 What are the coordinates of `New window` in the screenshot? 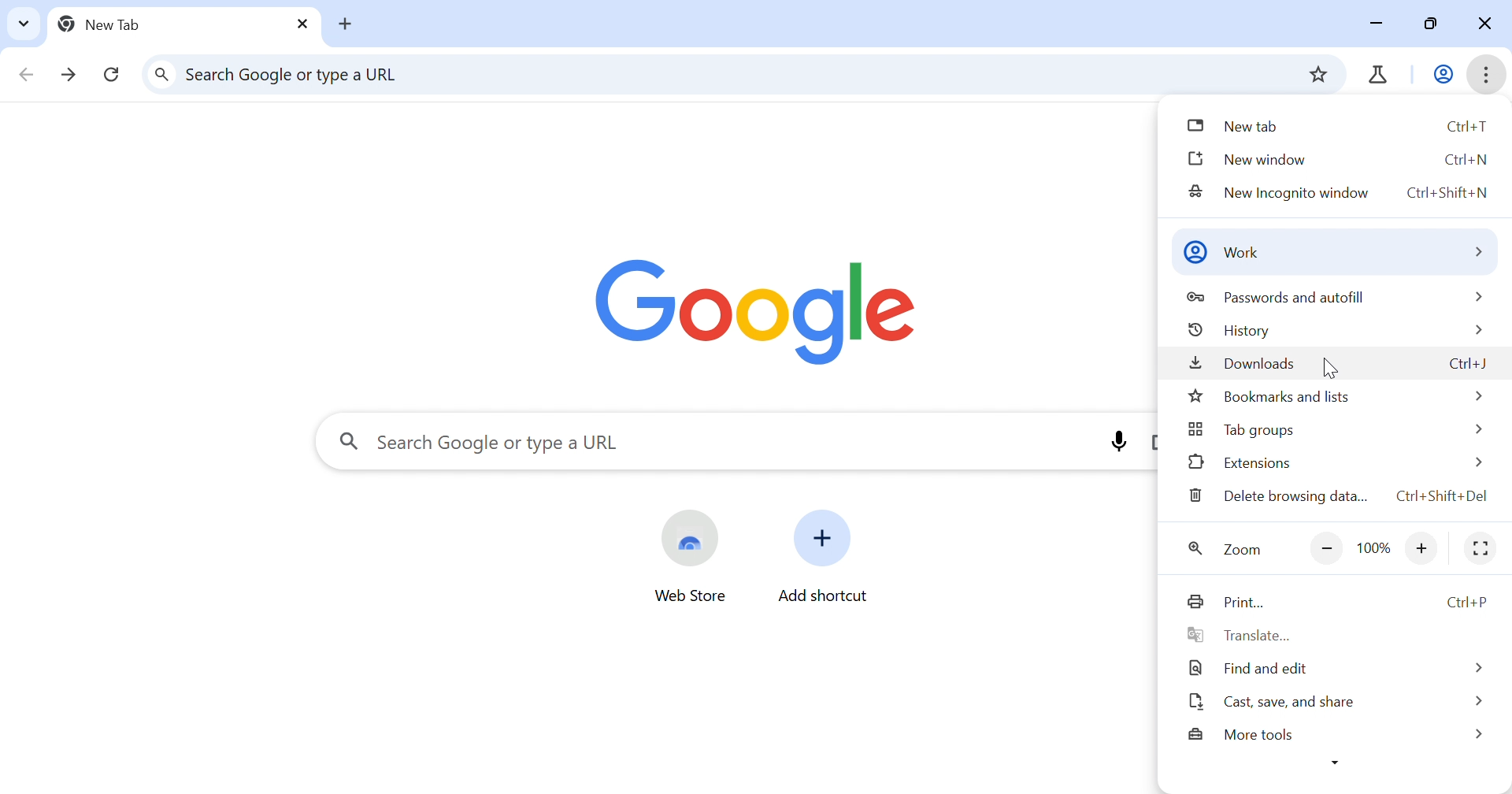 It's located at (1249, 161).